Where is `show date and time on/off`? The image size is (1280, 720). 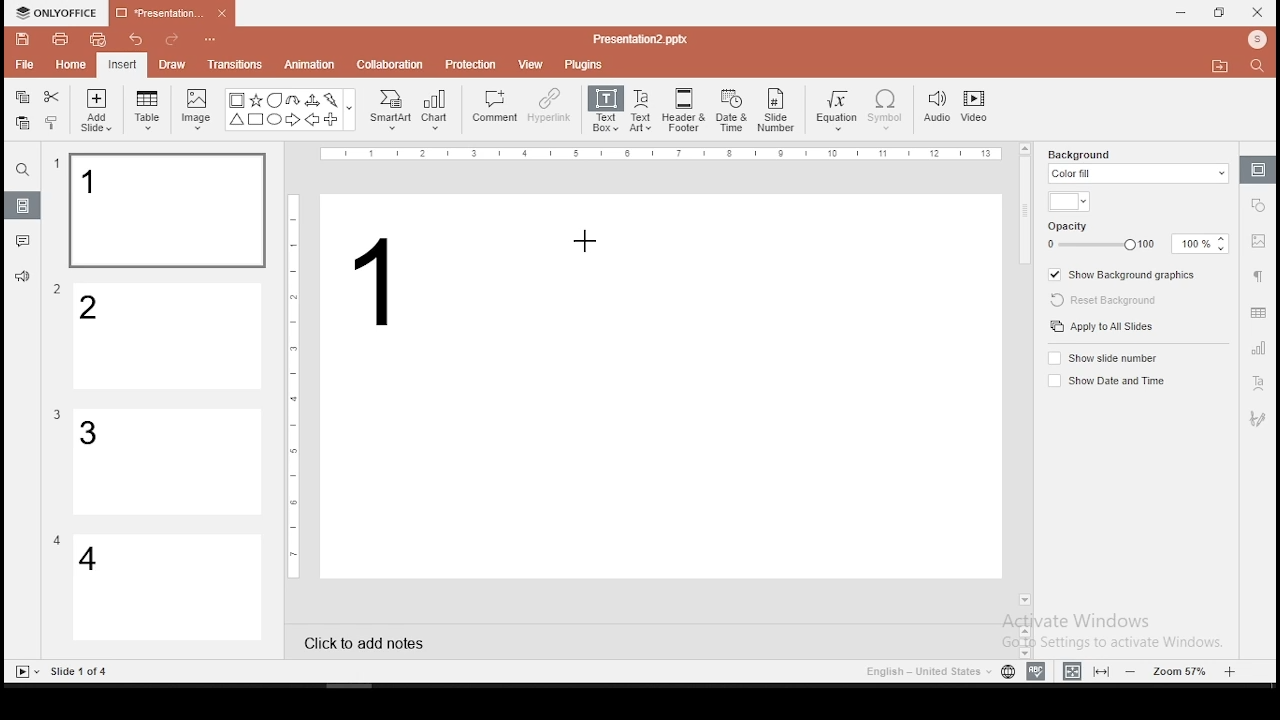 show date and time on/off is located at coordinates (1105, 380).